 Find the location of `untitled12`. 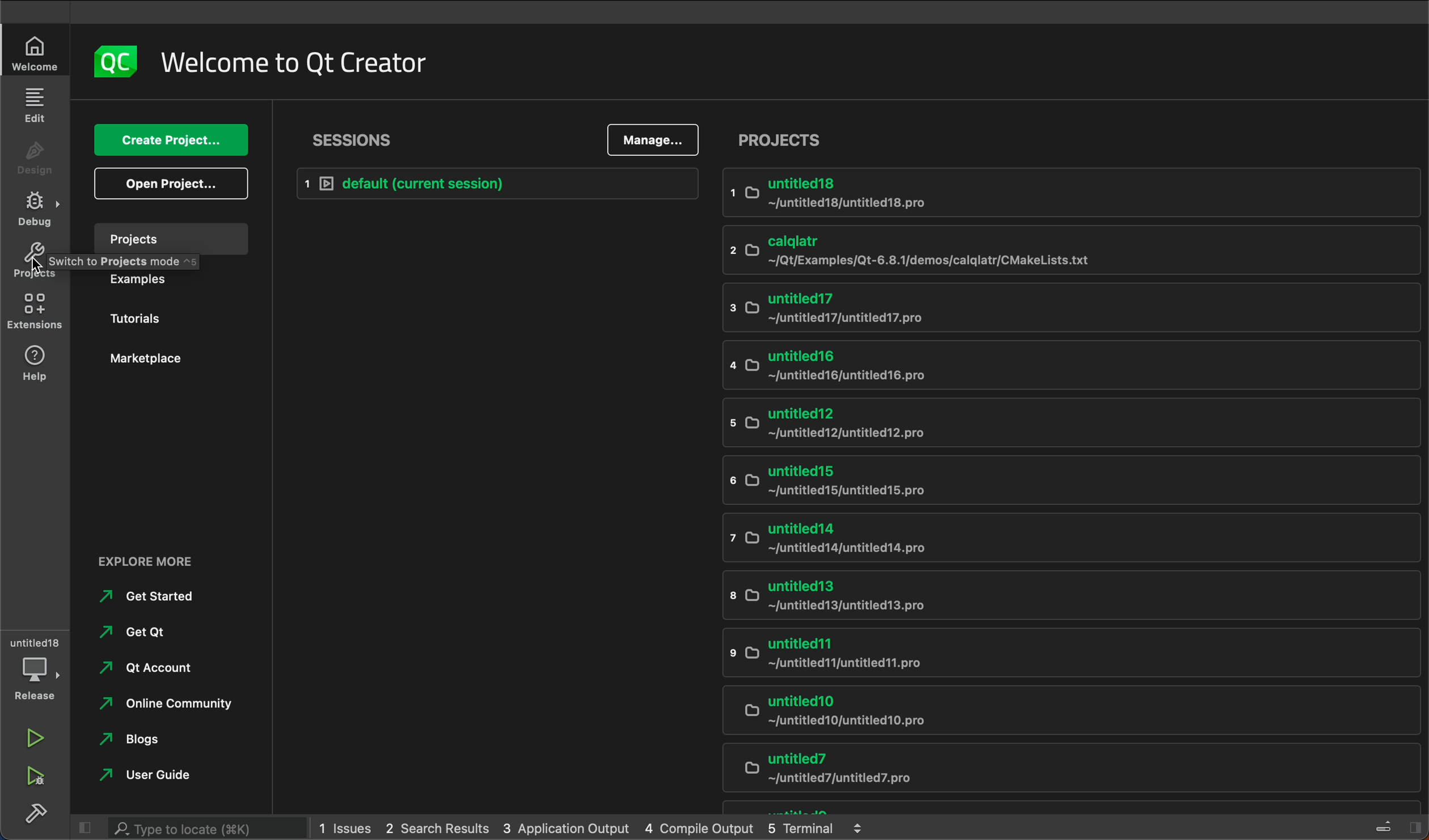

untitled12 is located at coordinates (1060, 422).